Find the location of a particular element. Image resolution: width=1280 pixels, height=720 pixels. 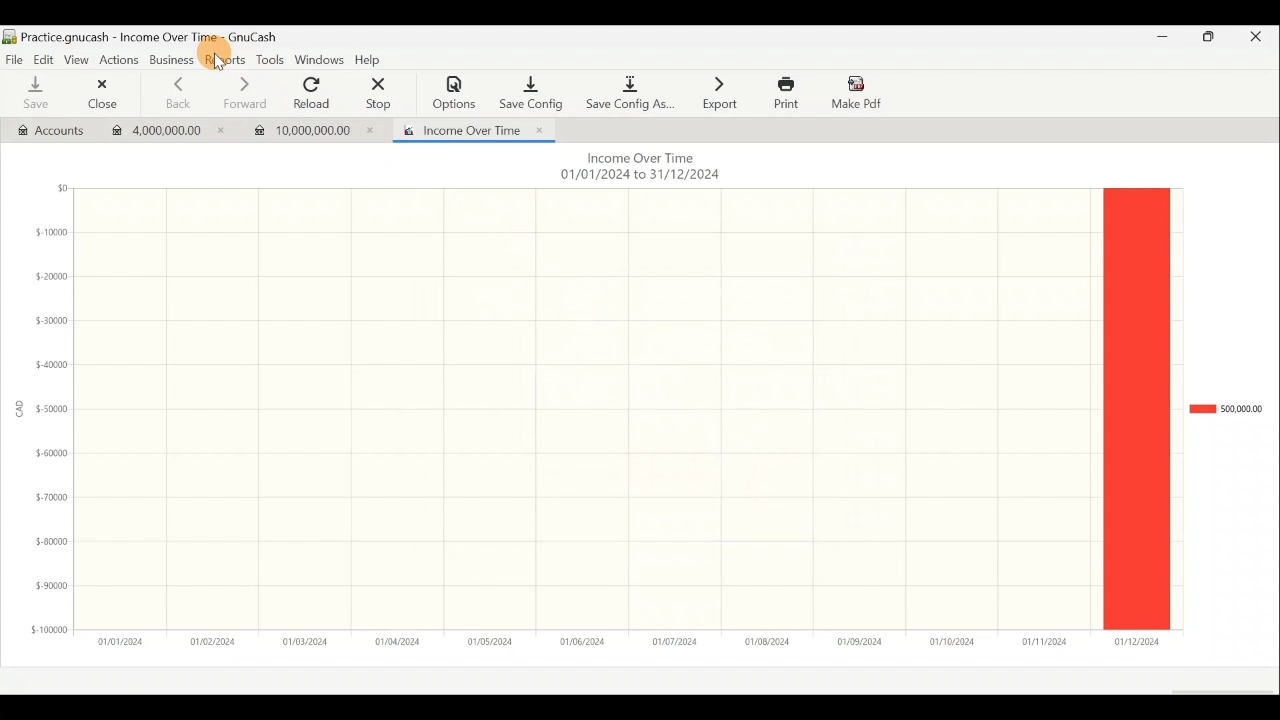

File is located at coordinates (14, 58).